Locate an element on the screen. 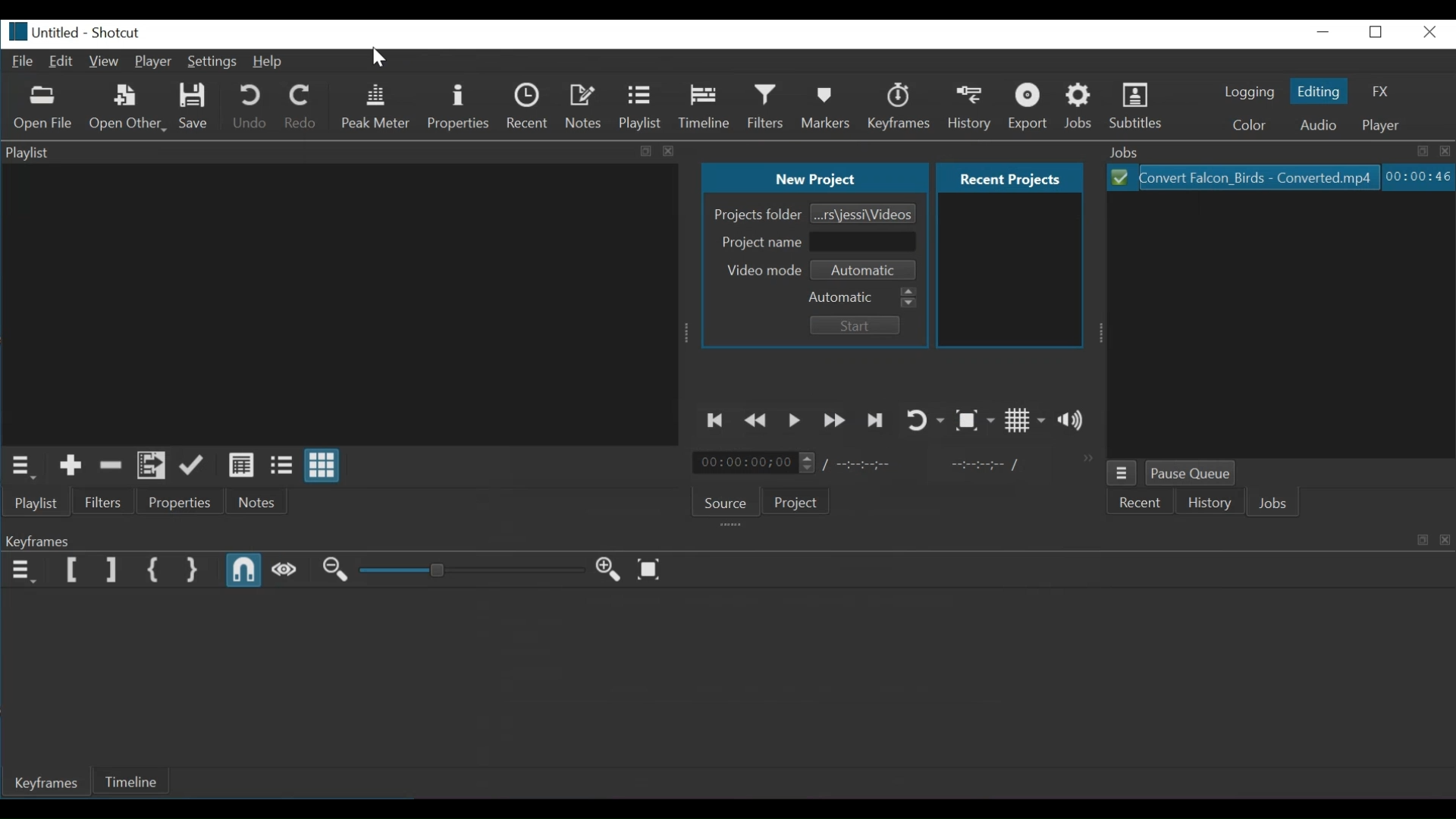 The width and height of the screenshot is (1456, 819). Show the volume control is located at coordinates (1075, 421).